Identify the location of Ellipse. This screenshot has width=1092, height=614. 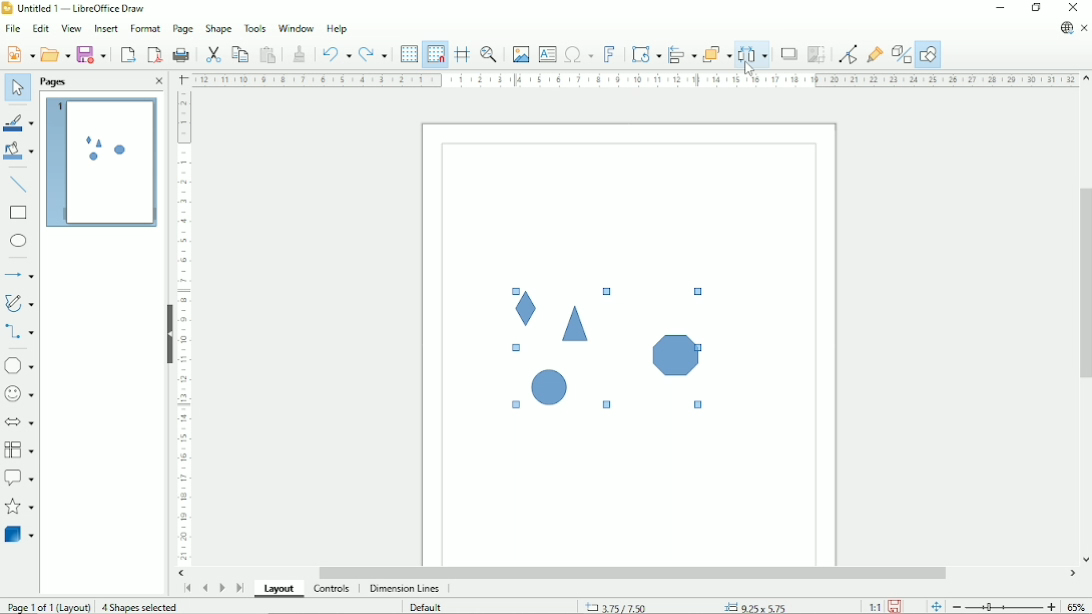
(19, 241).